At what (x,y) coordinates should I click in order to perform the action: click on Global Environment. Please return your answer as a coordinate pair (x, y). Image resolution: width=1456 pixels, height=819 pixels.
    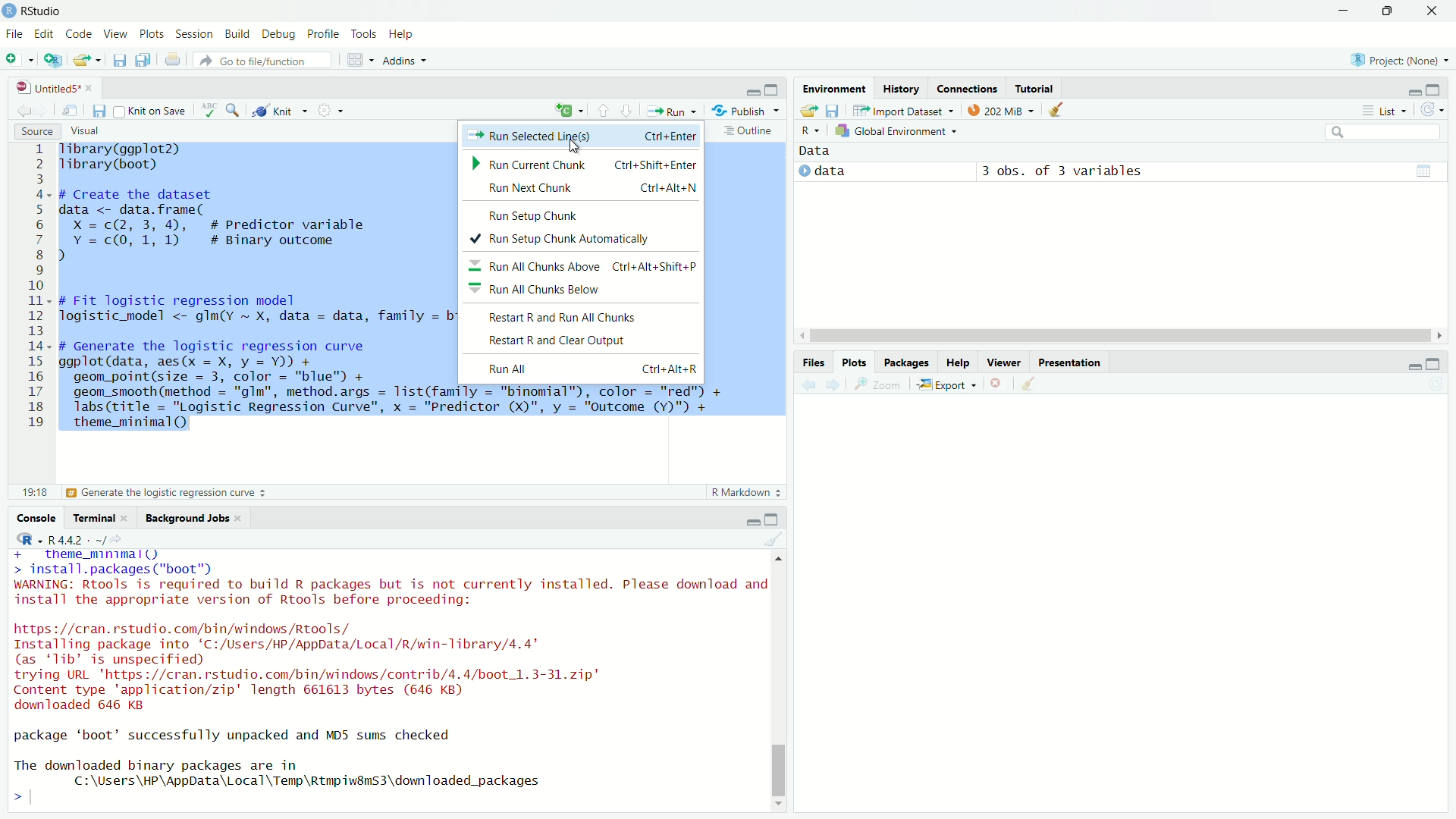
    Looking at the image, I should click on (896, 130).